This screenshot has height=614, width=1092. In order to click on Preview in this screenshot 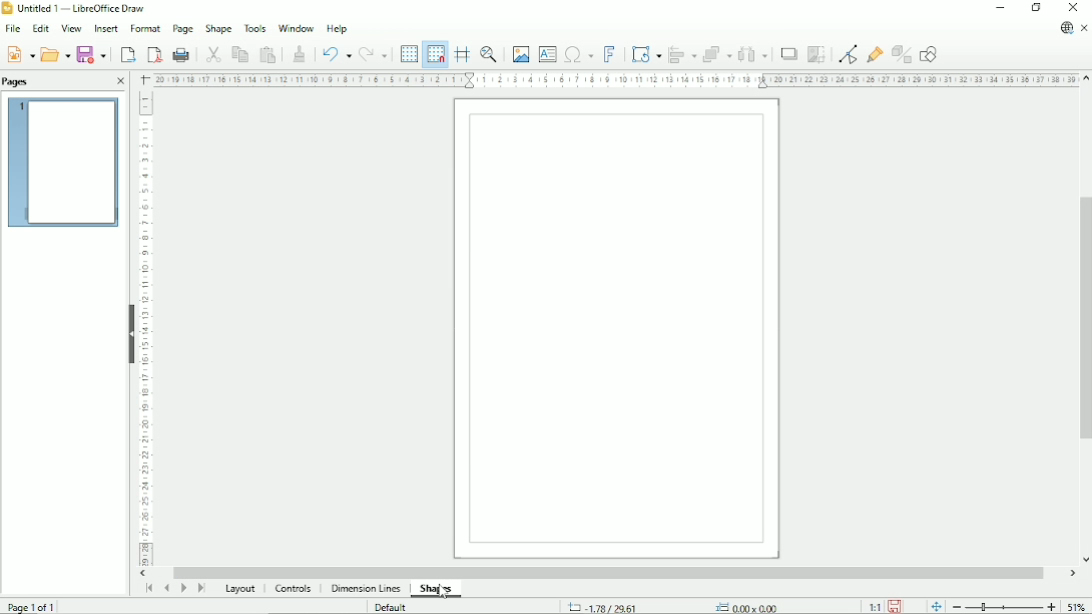, I will do `click(62, 164)`.